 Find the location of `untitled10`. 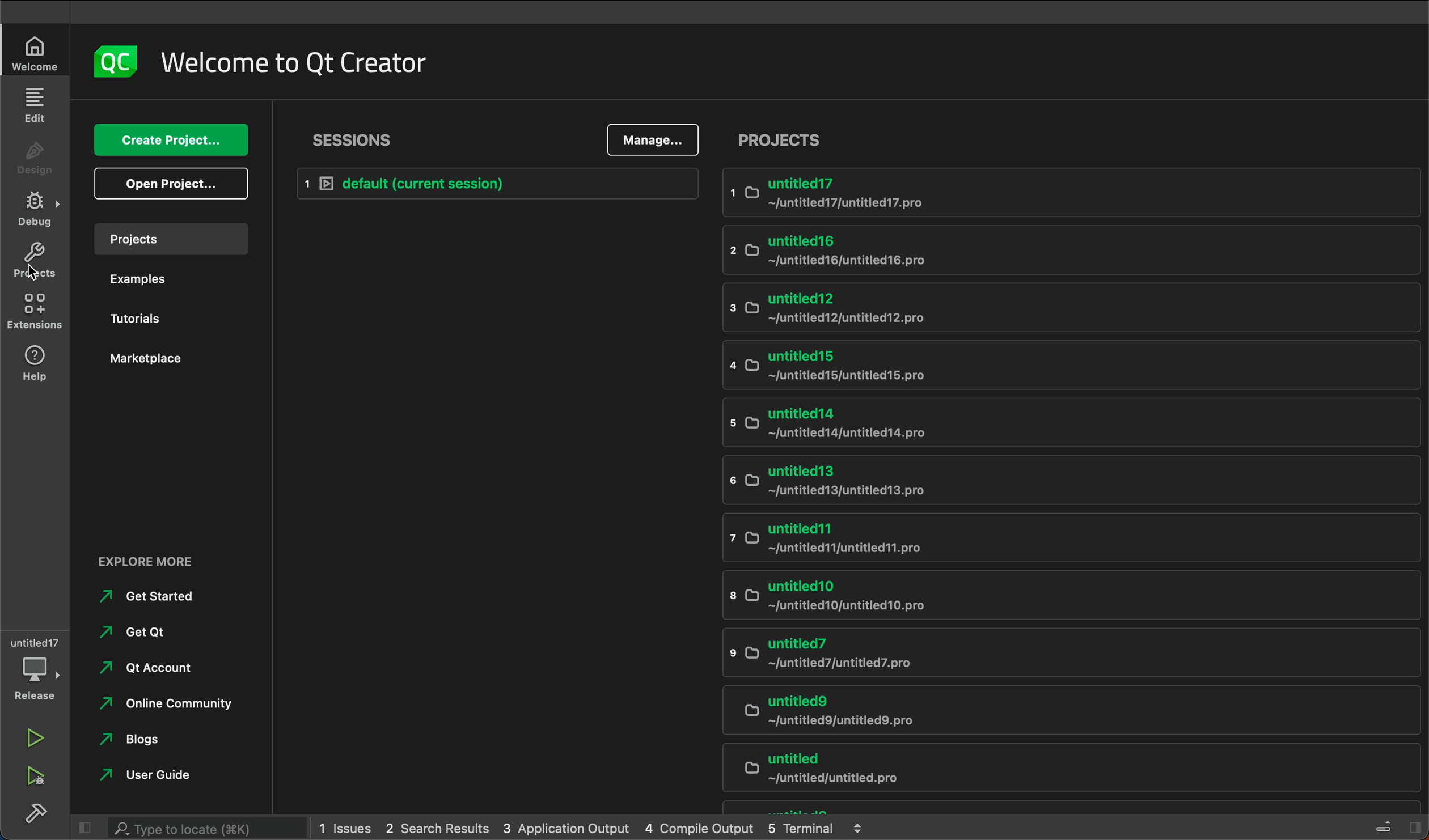

untitled10 is located at coordinates (1031, 594).